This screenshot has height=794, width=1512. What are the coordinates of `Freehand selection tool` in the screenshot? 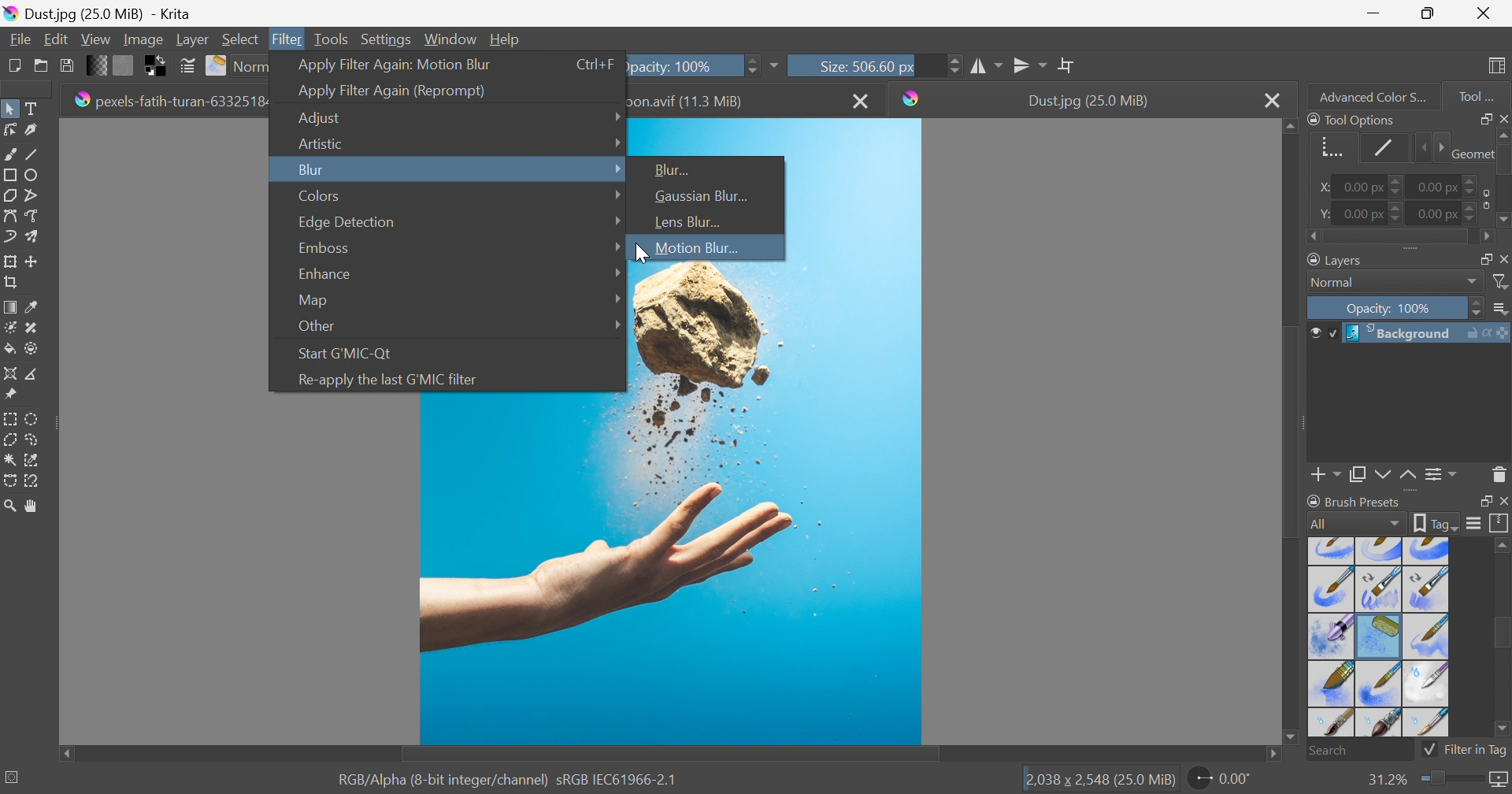 It's located at (33, 440).